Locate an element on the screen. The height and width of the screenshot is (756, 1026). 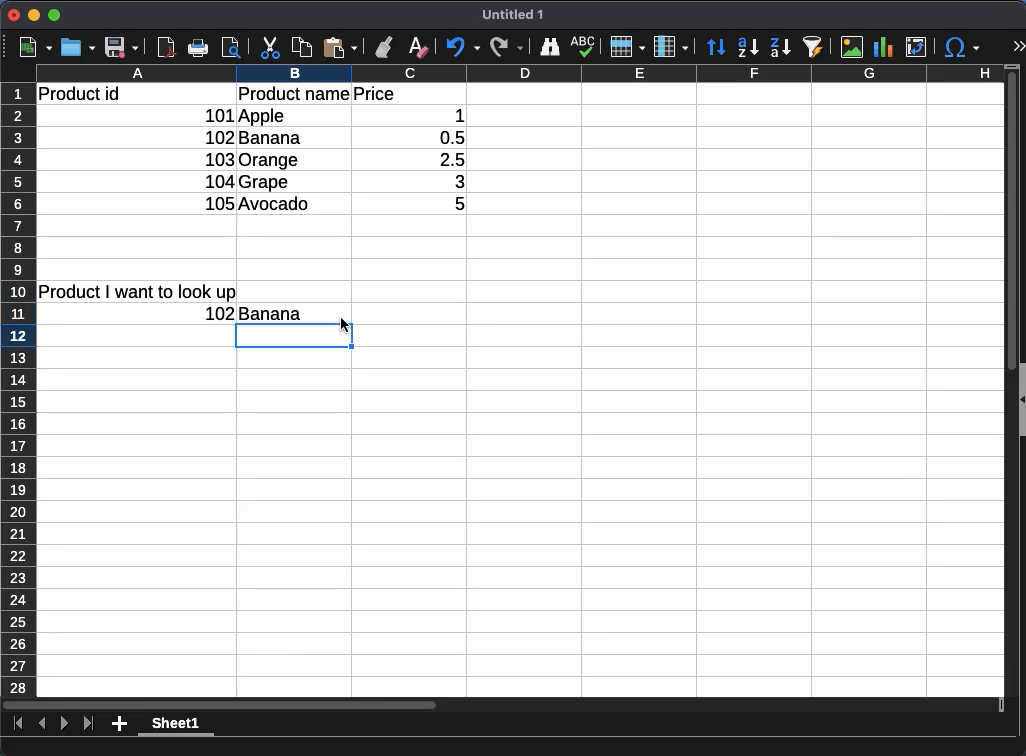
save is located at coordinates (122, 47).